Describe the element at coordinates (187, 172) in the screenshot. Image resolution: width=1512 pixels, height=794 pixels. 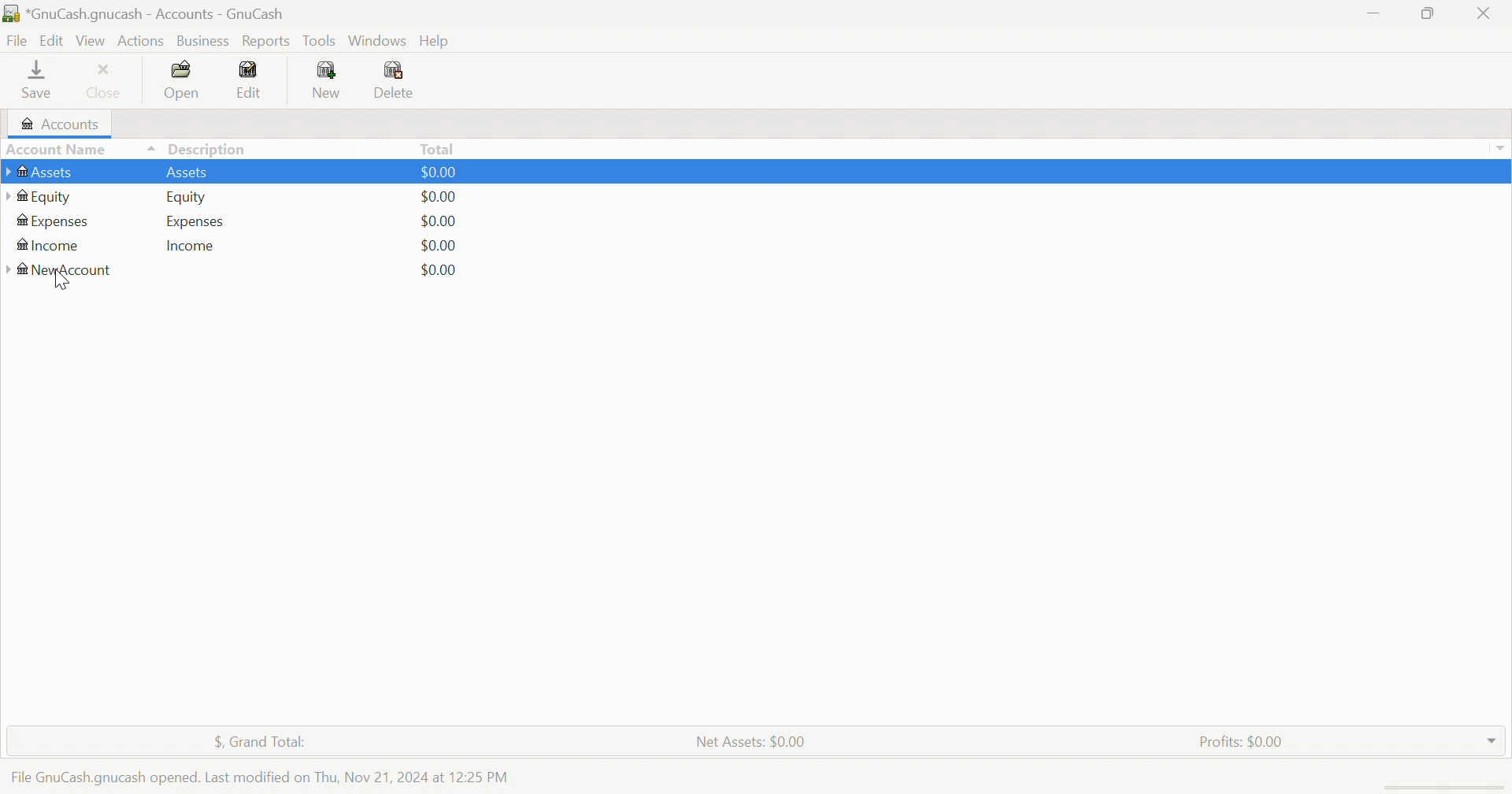
I see `Assets` at that location.